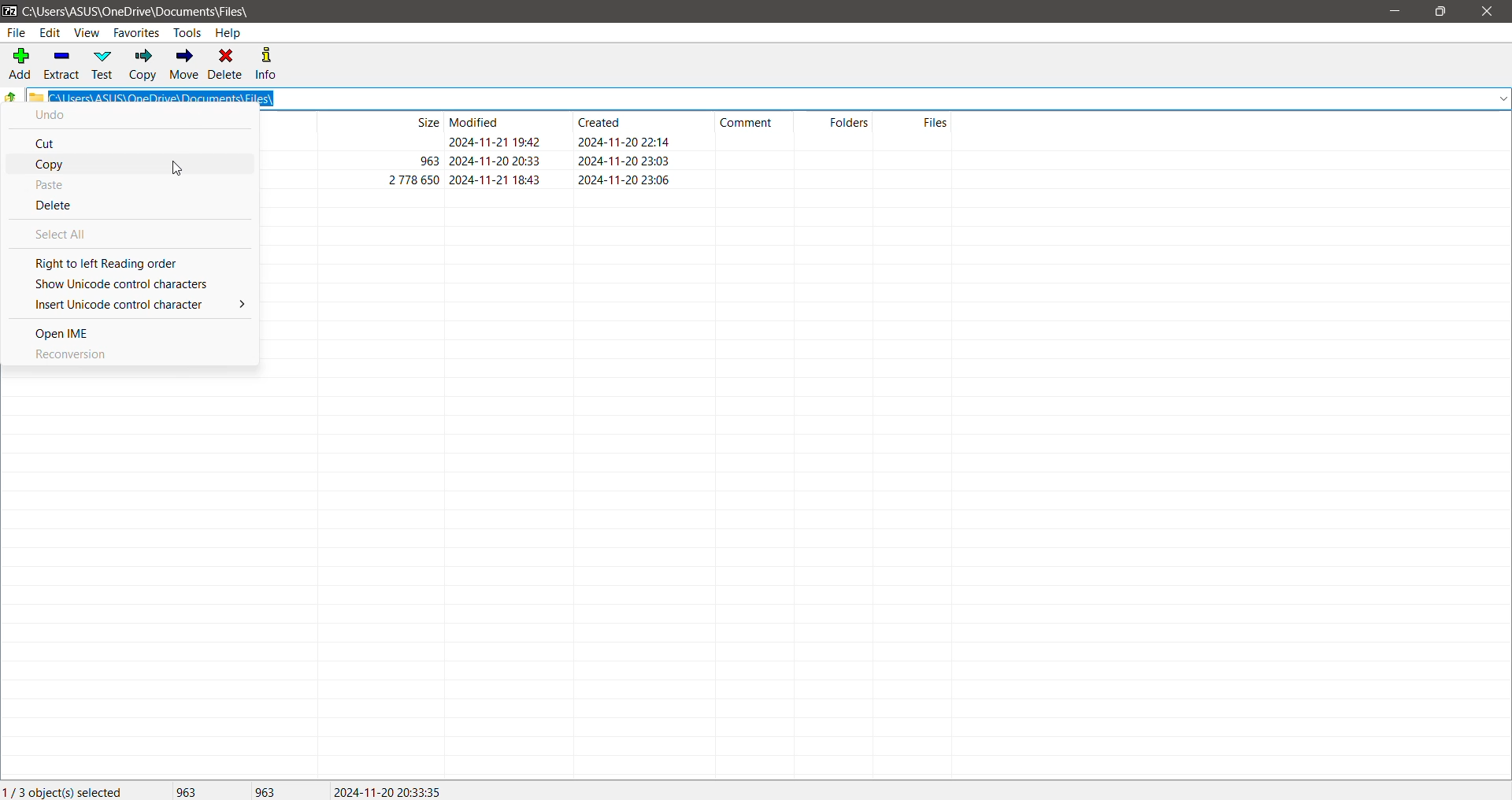  Describe the element at coordinates (428, 122) in the screenshot. I see `size` at that location.